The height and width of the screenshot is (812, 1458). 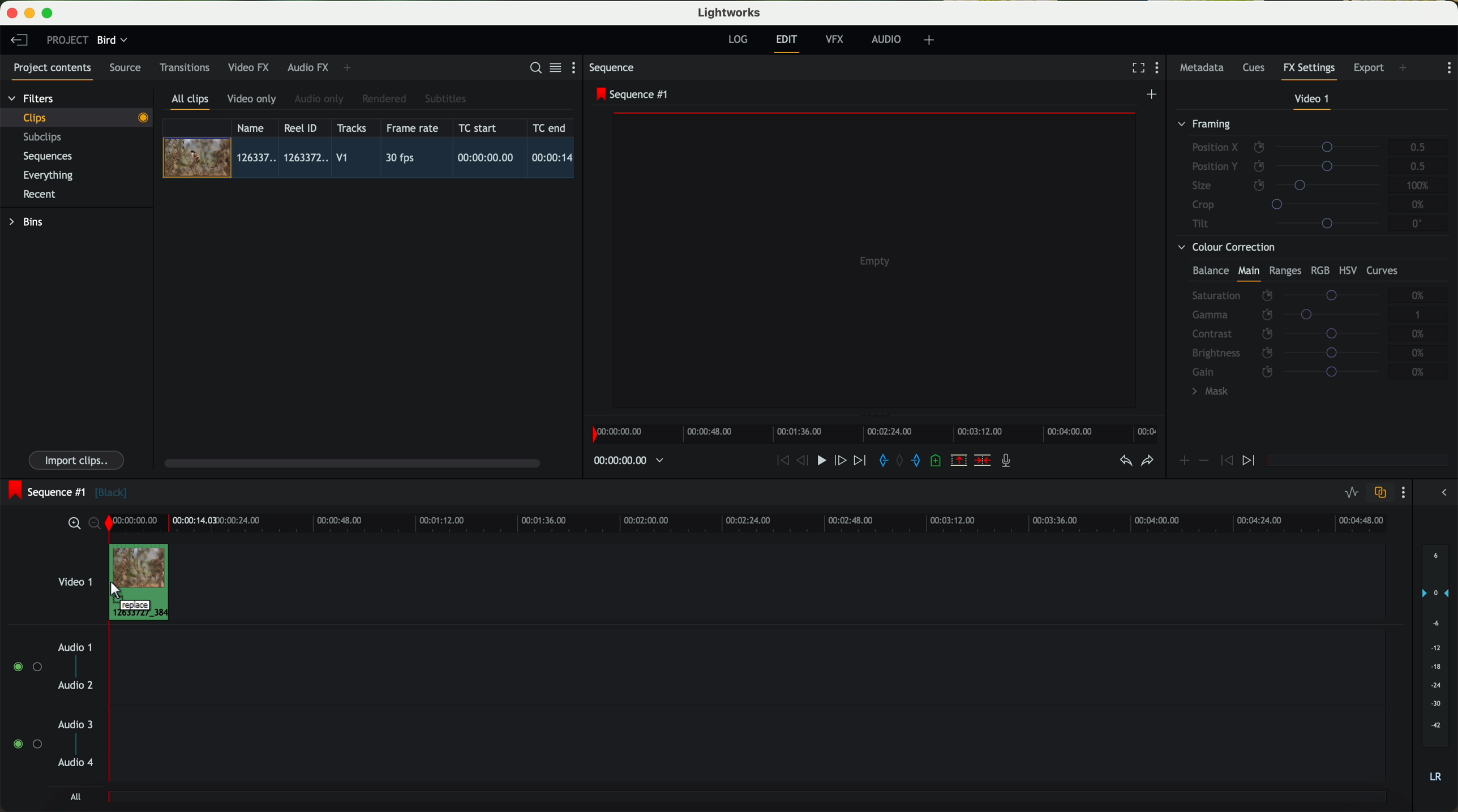 I want to click on export, so click(x=1369, y=69).